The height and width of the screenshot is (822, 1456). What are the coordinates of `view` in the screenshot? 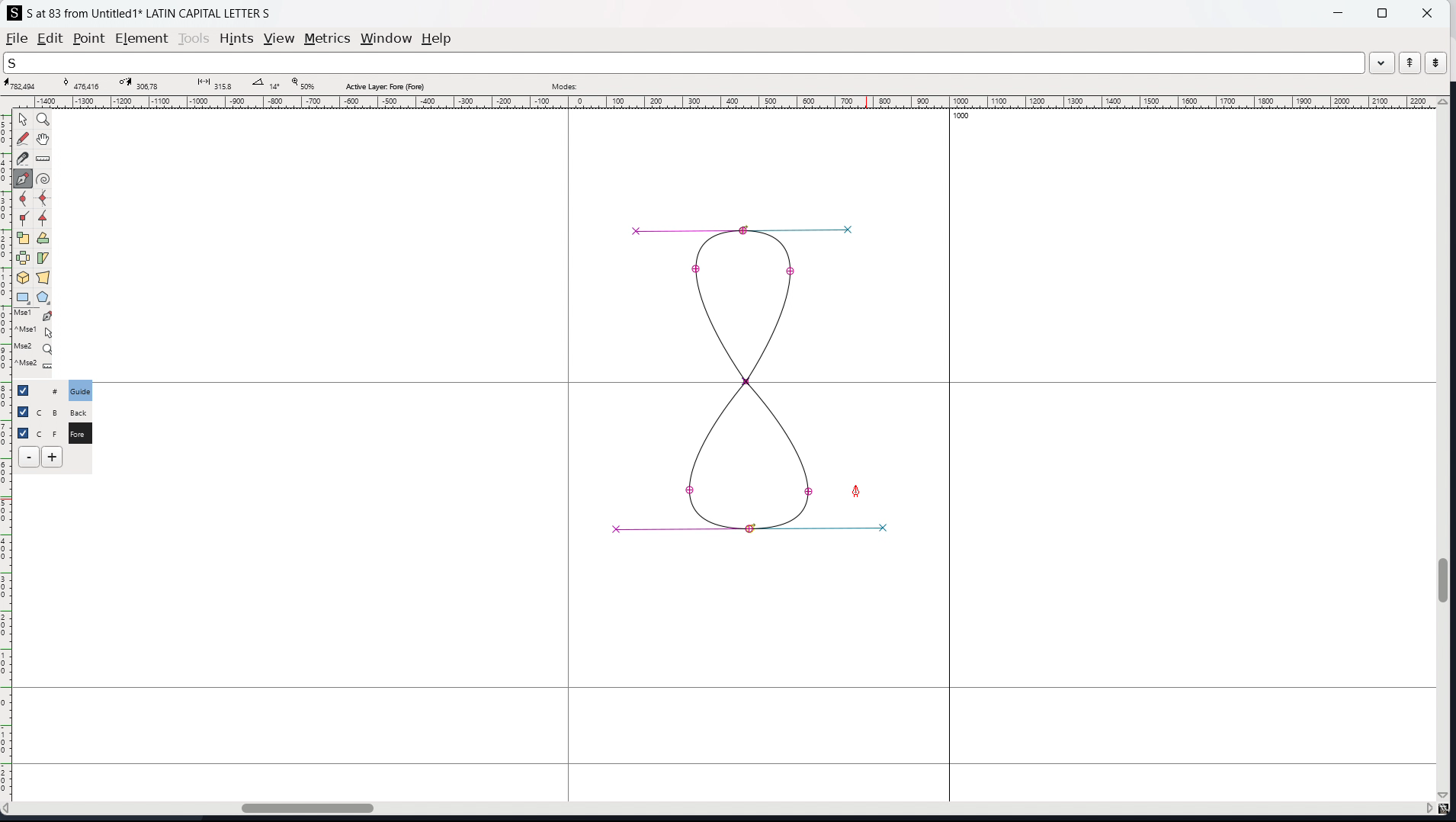 It's located at (279, 39).